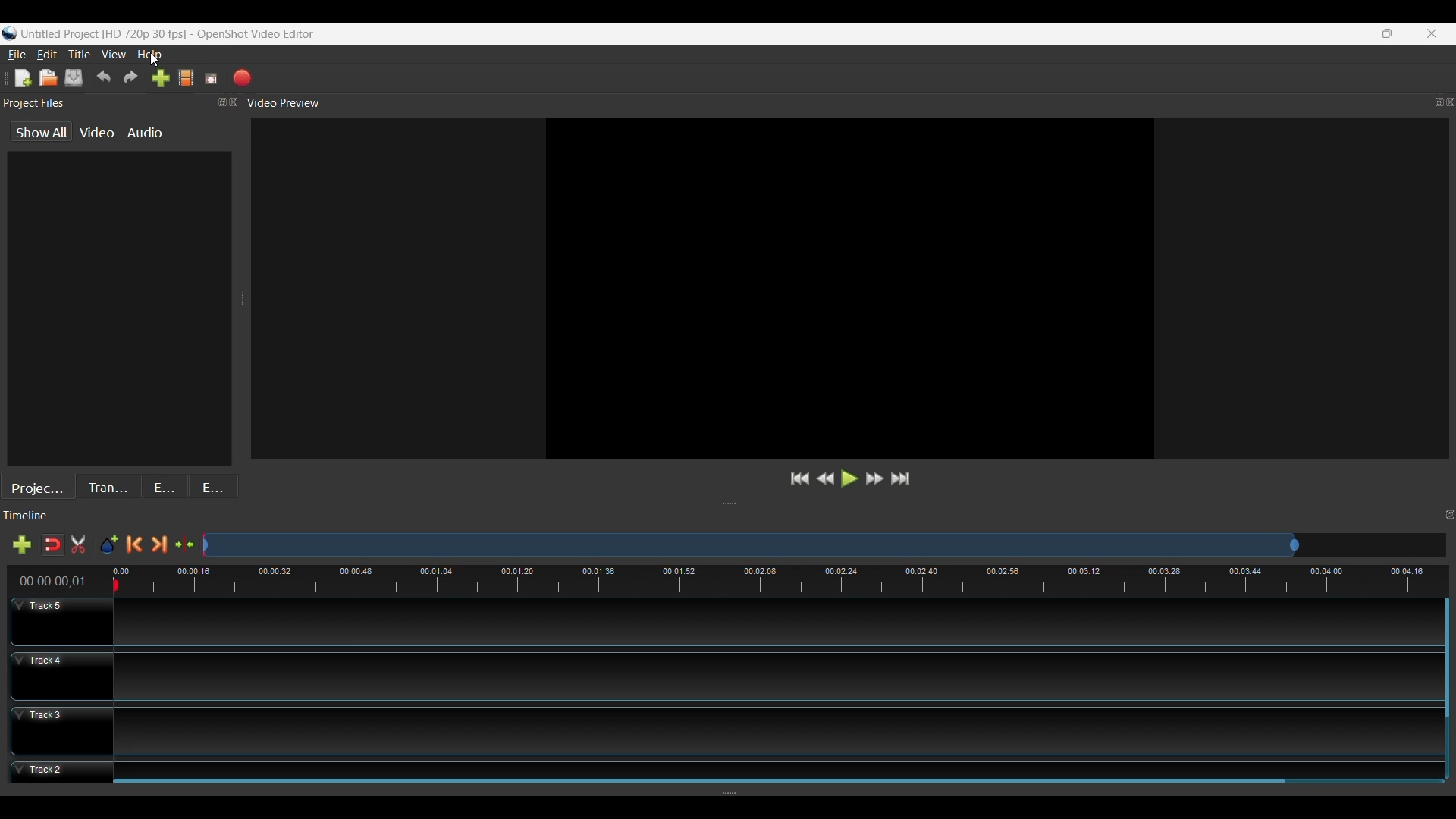 The width and height of the screenshot is (1456, 819). I want to click on Track Header, so click(58, 676).